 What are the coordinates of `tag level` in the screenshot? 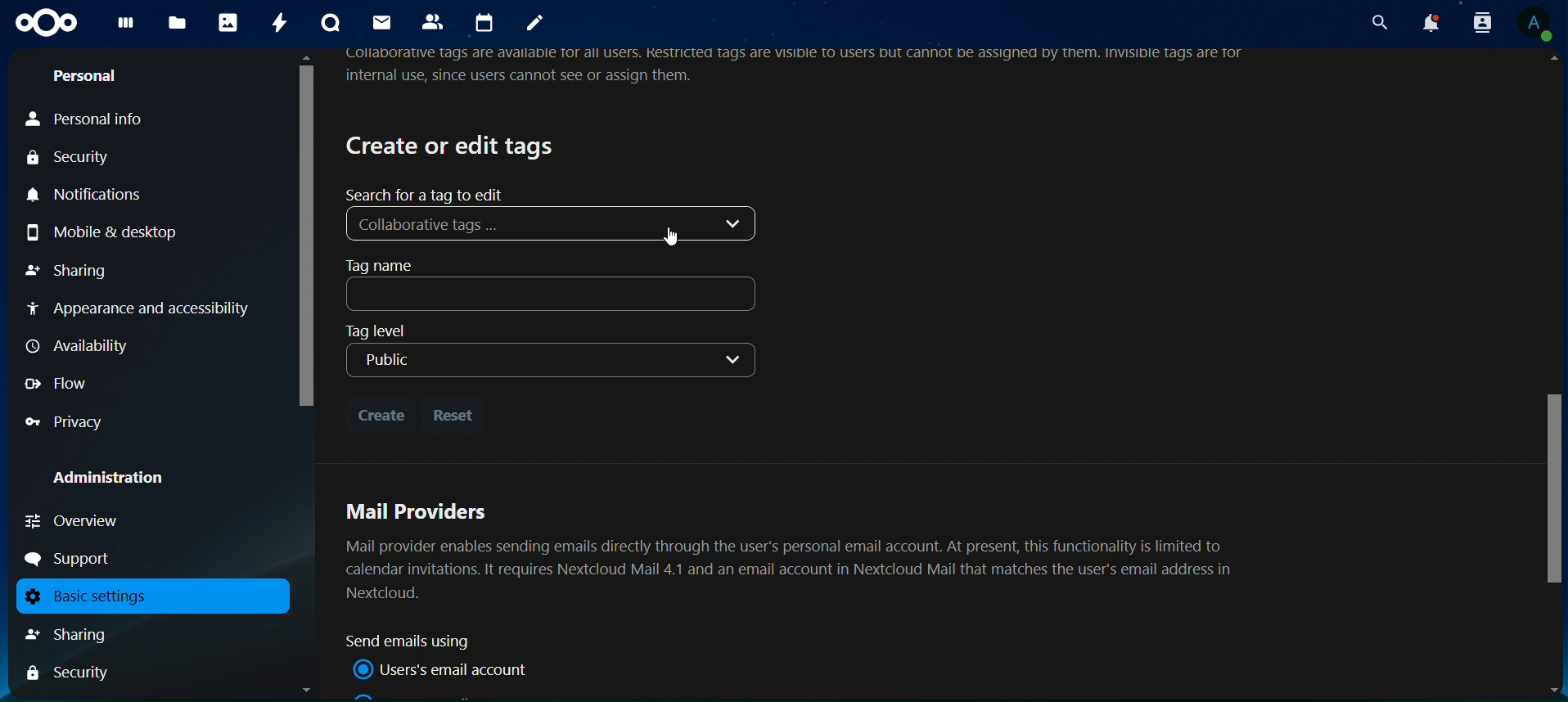 It's located at (393, 330).